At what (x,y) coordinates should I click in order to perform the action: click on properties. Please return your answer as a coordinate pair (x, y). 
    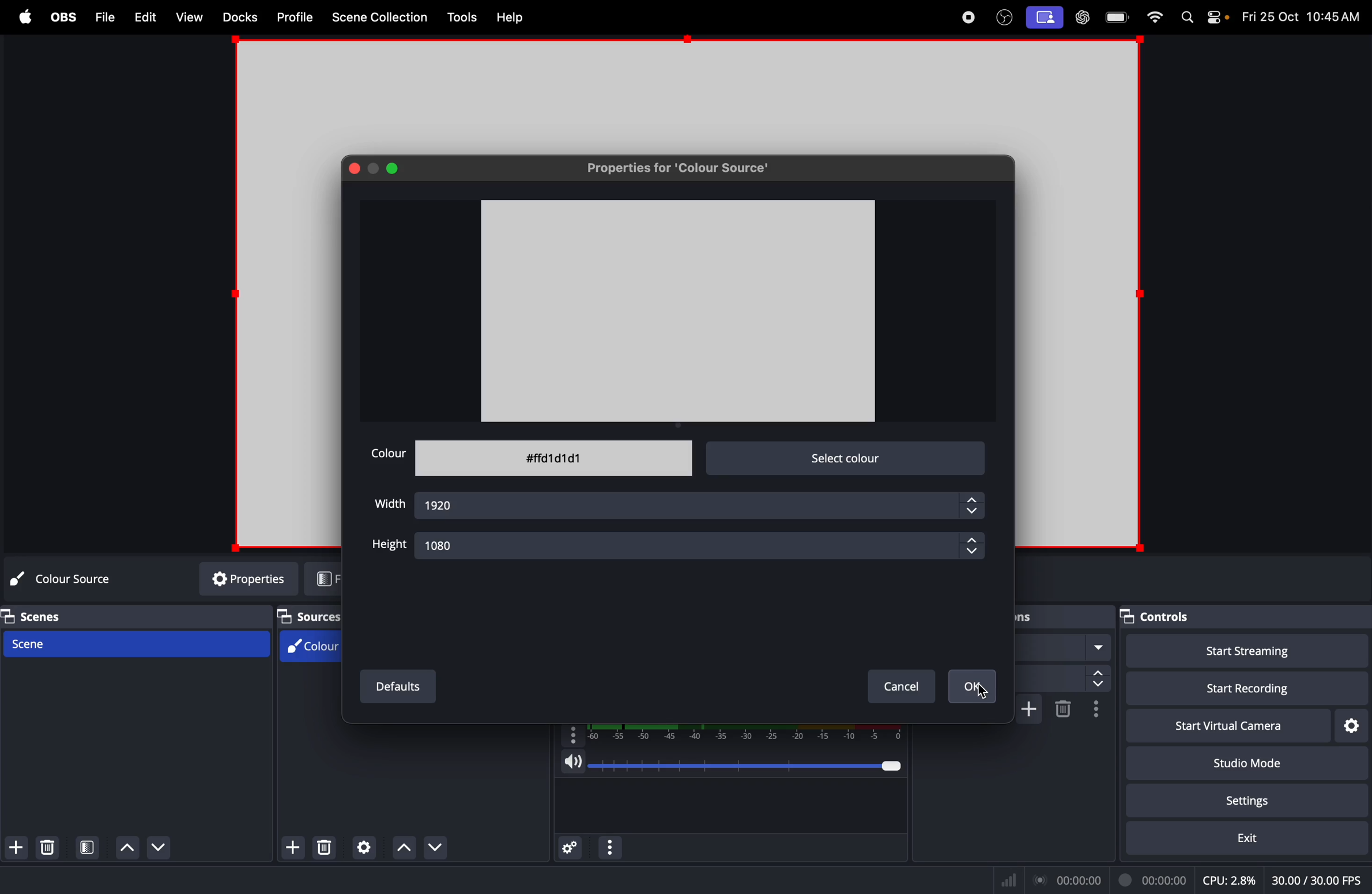
    Looking at the image, I should click on (241, 579).